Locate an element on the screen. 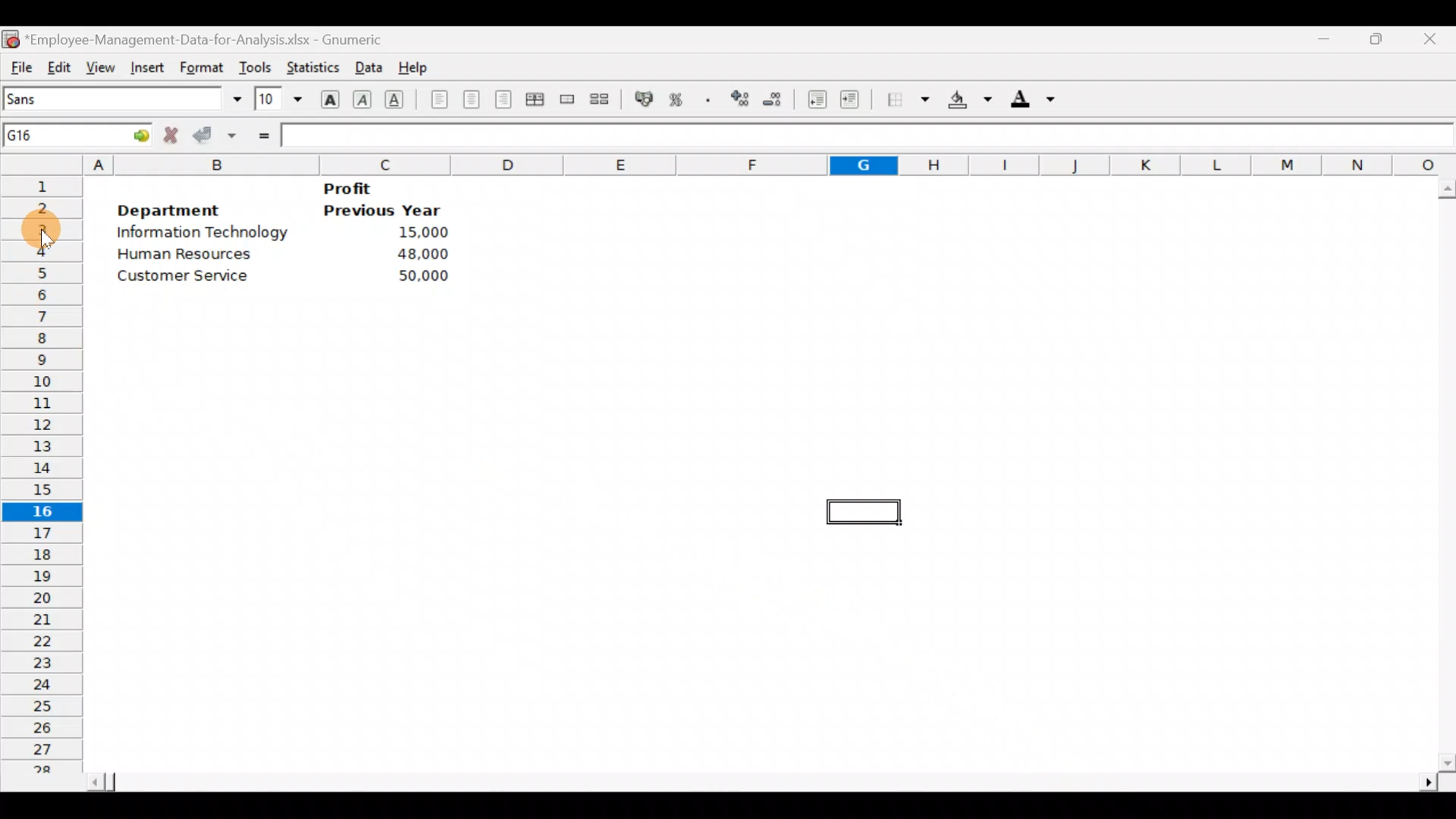 The width and height of the screenshot is (1456, 819). 15,000 is located at coordinates (419, 231).